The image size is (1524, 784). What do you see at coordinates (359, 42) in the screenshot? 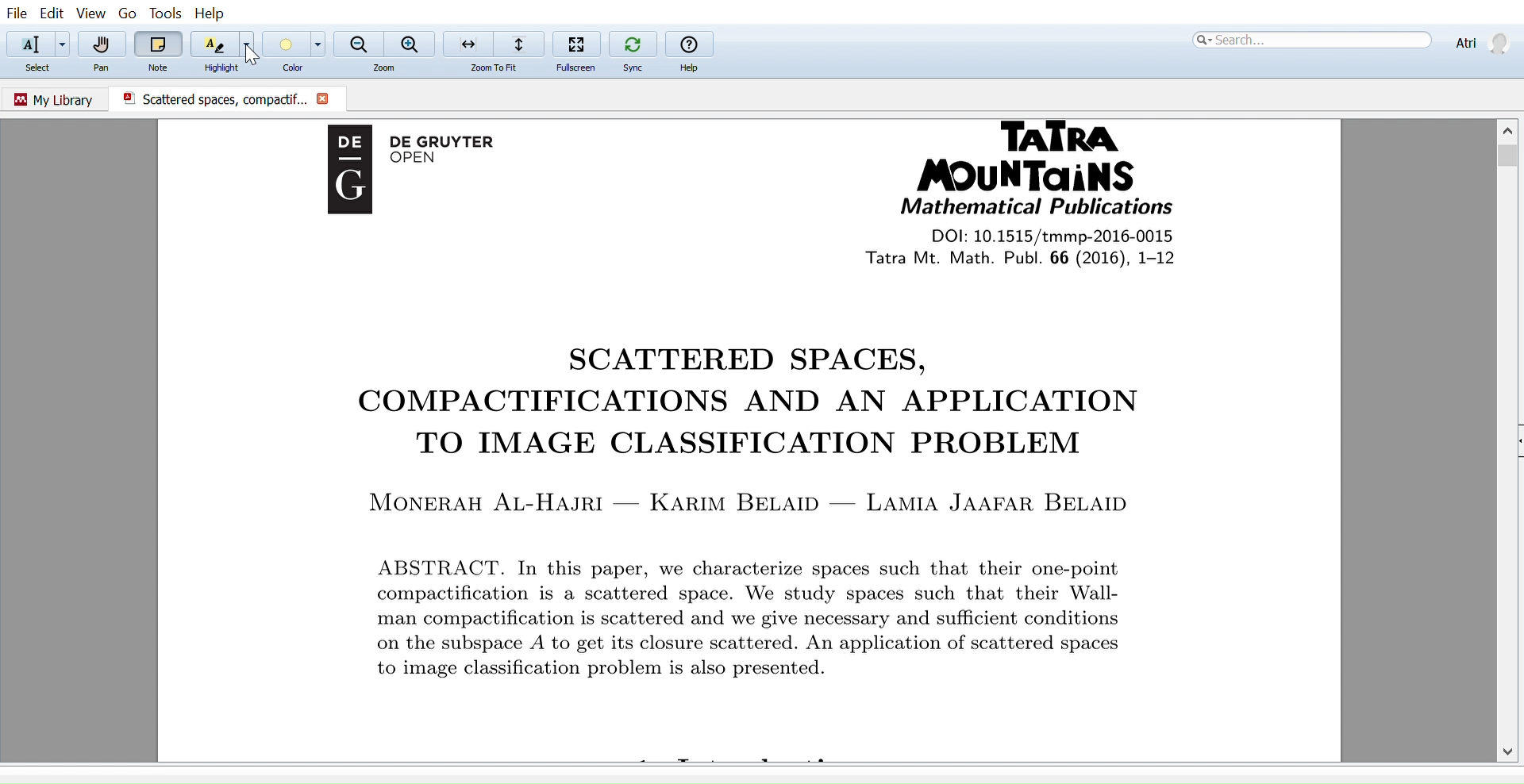
I see `Zoom out` at bounding box center [359, 42].